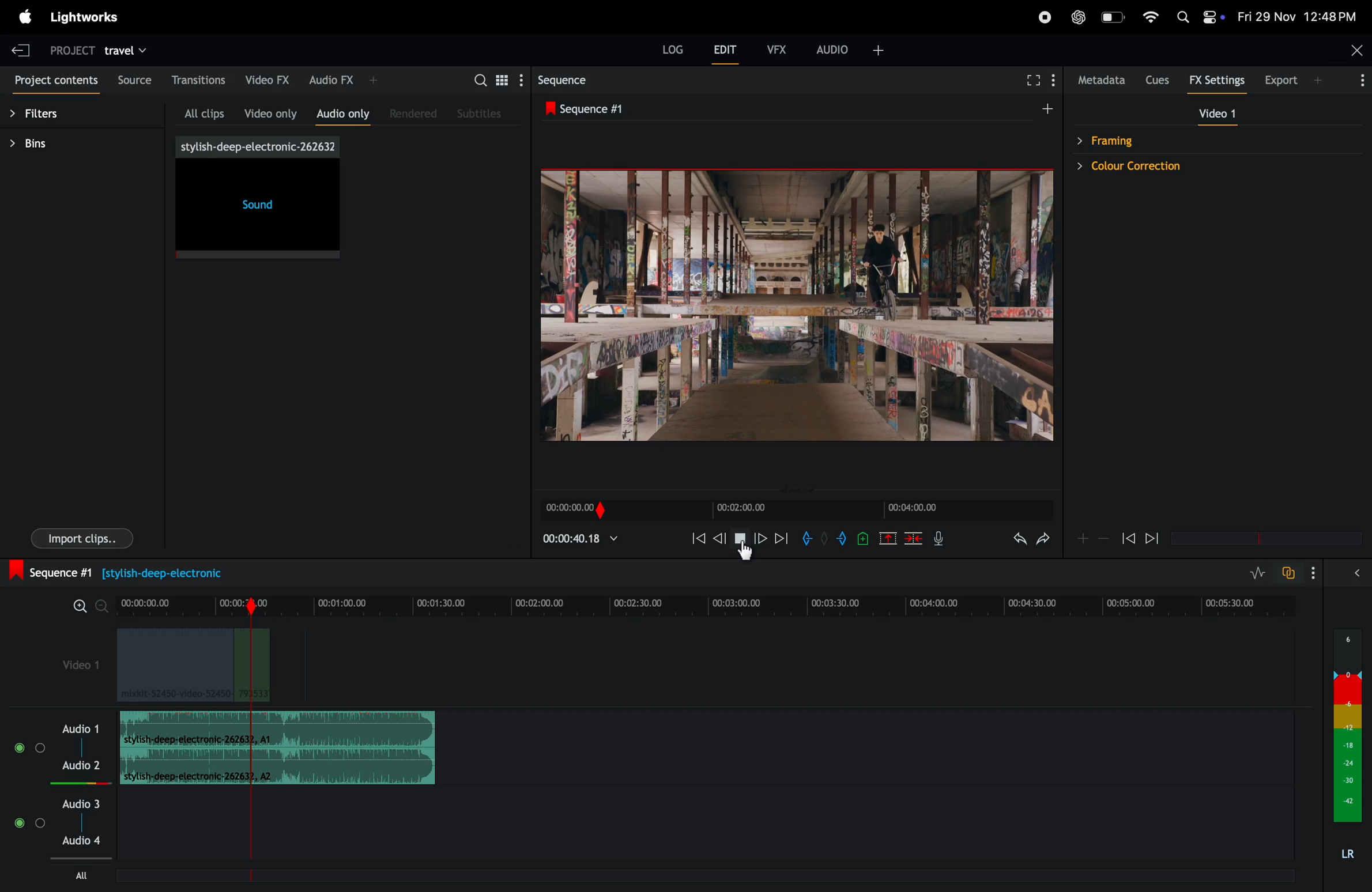  Describe the element at coordinates (782, 538) in the screenshot. I see `next` at that location.